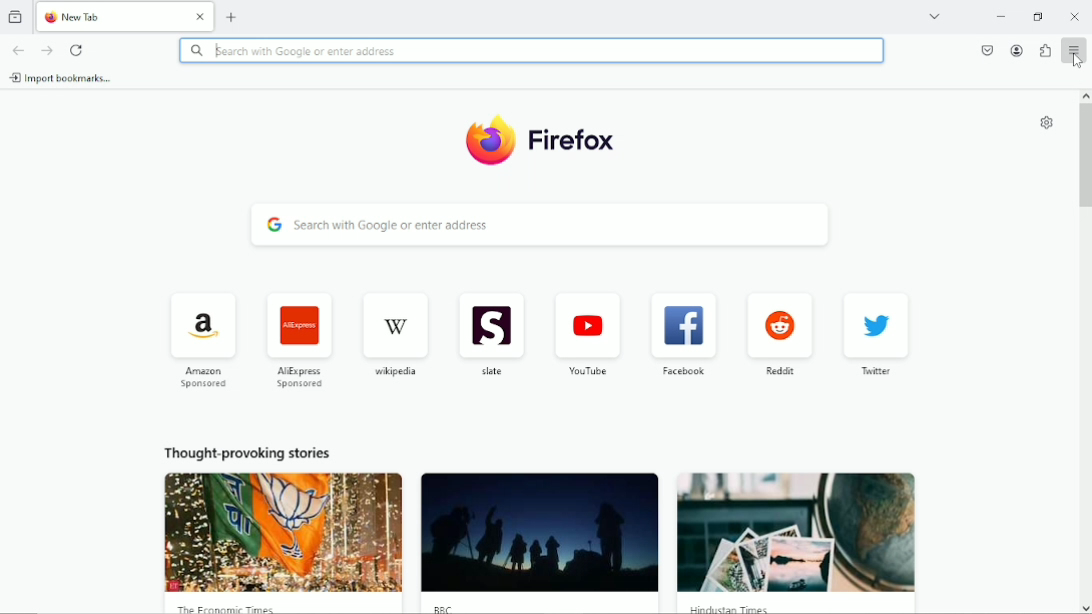 The width and height of the screenshot is (1092, 614). I want to click on Firefox, so click(578, 147).